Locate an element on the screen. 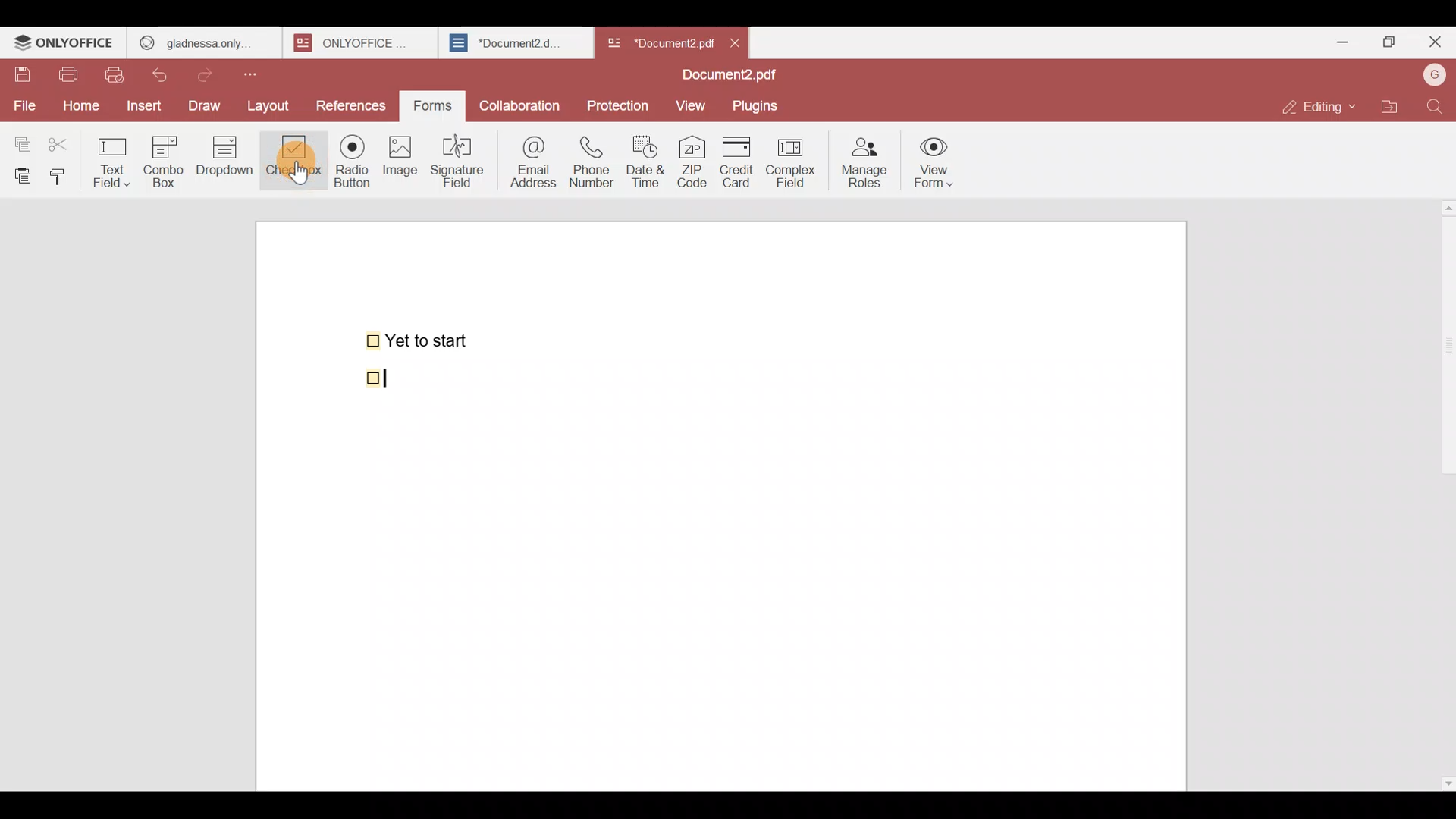 This screenshot has width=1456, height=819. Undo is located at coordinates (167, 72).